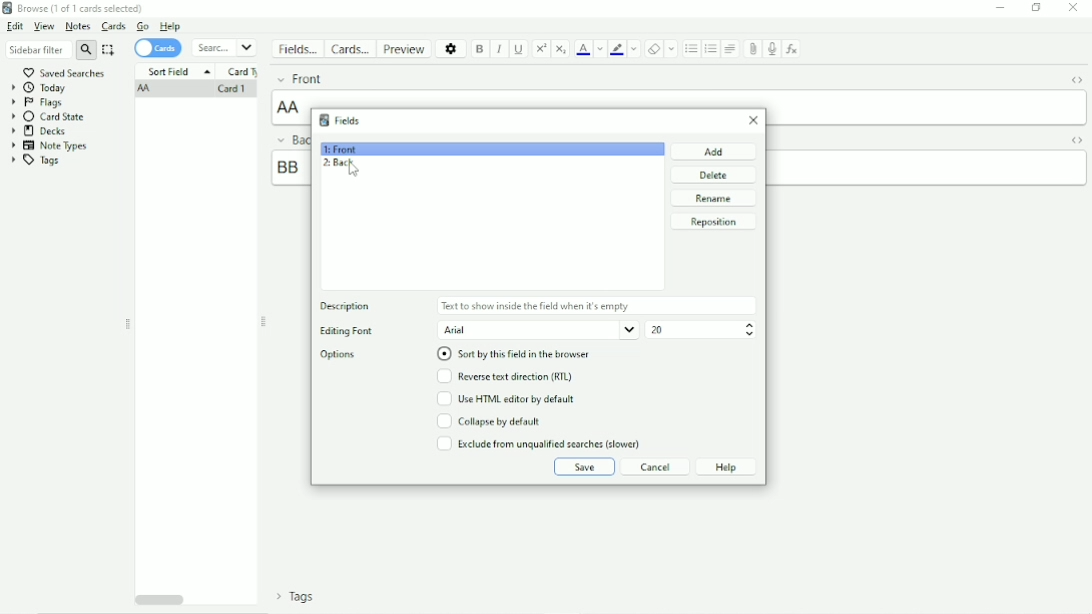  Describe the element at coordinates (1037, 7) in the screenshot. I see `Restore down` at that location.